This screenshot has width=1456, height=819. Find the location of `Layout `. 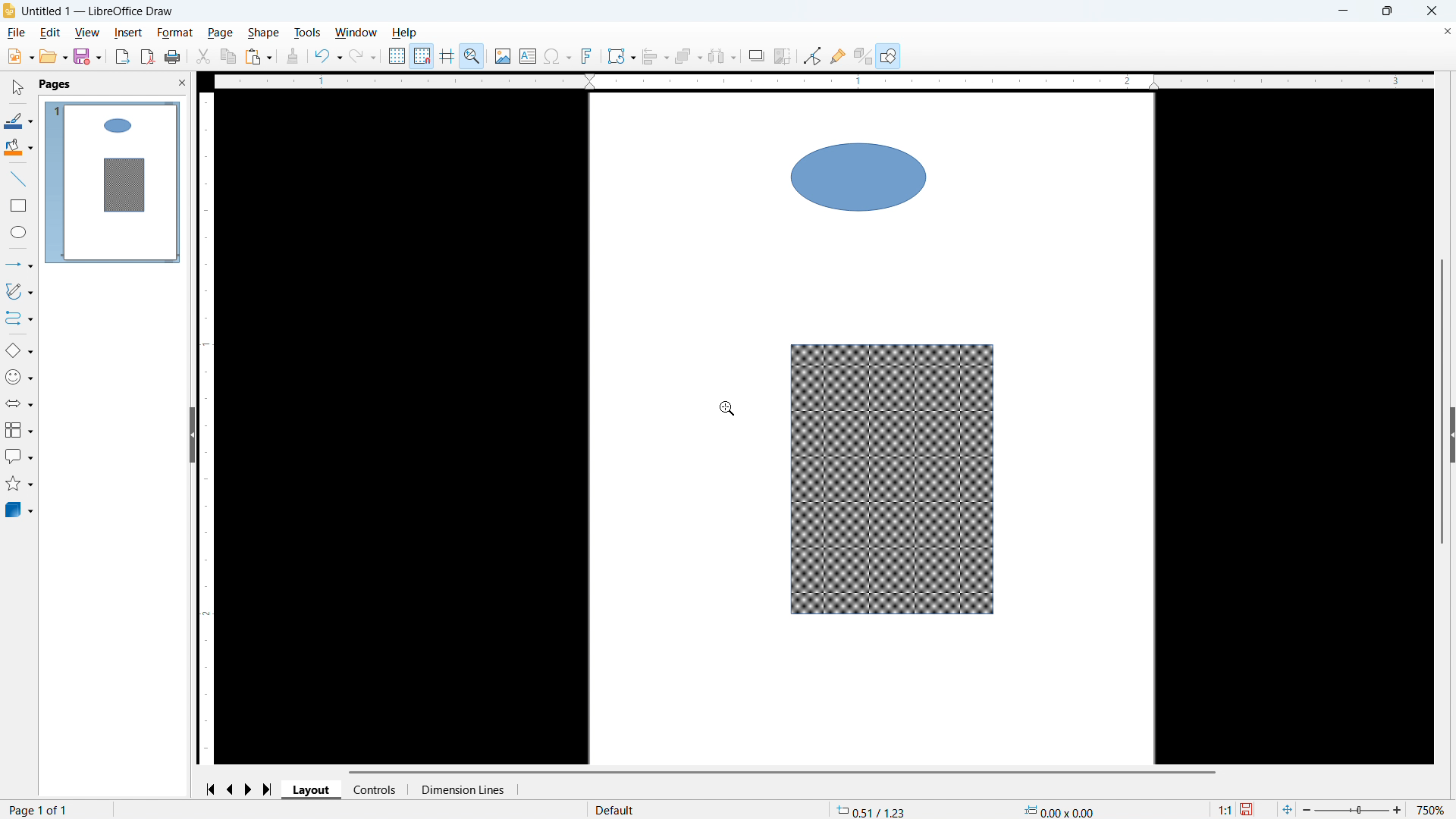

Layout  is located at coordinates (312, 789).